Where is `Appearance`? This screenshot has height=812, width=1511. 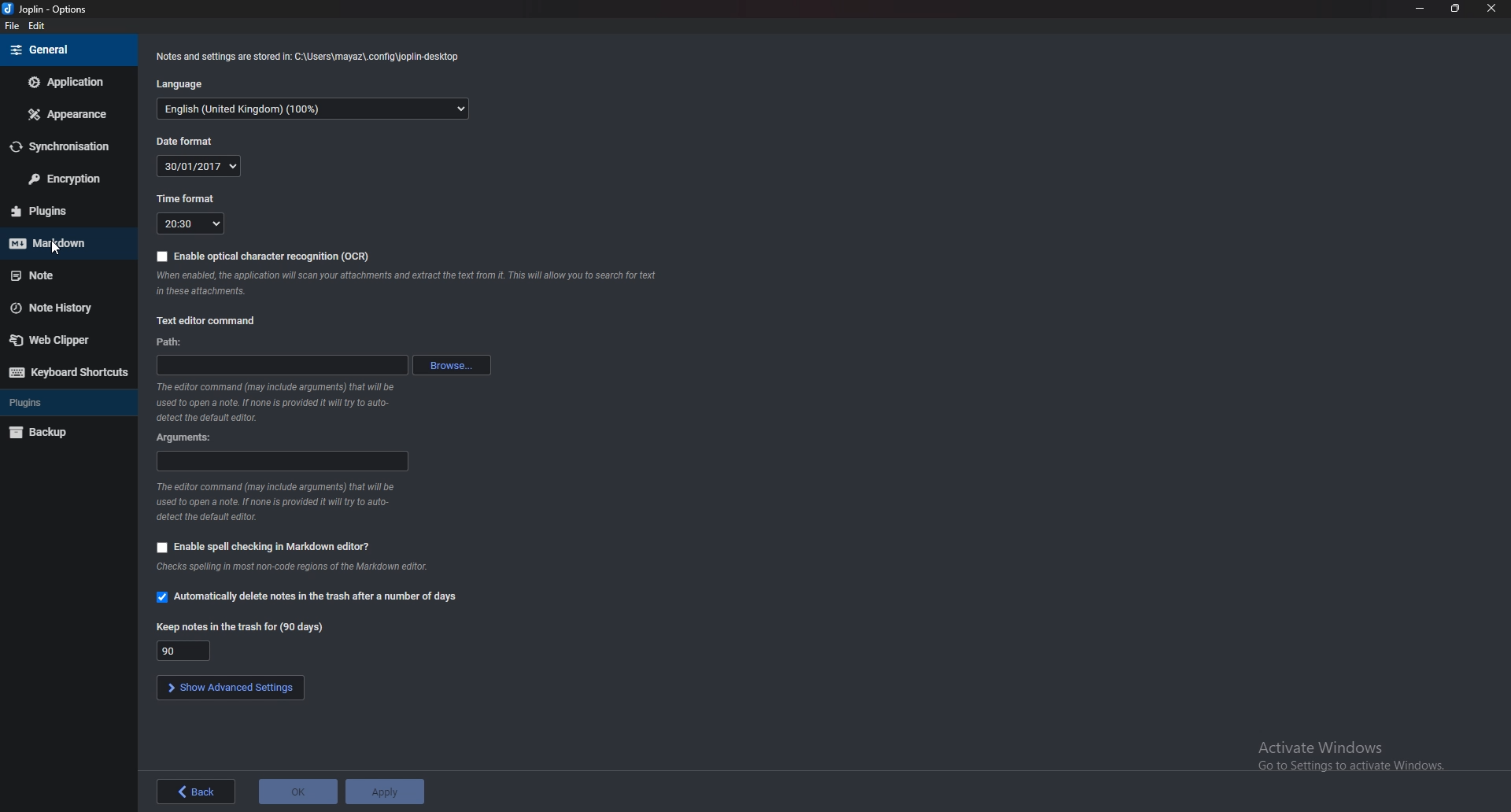
Appearance is located at coordinates (68, 113).